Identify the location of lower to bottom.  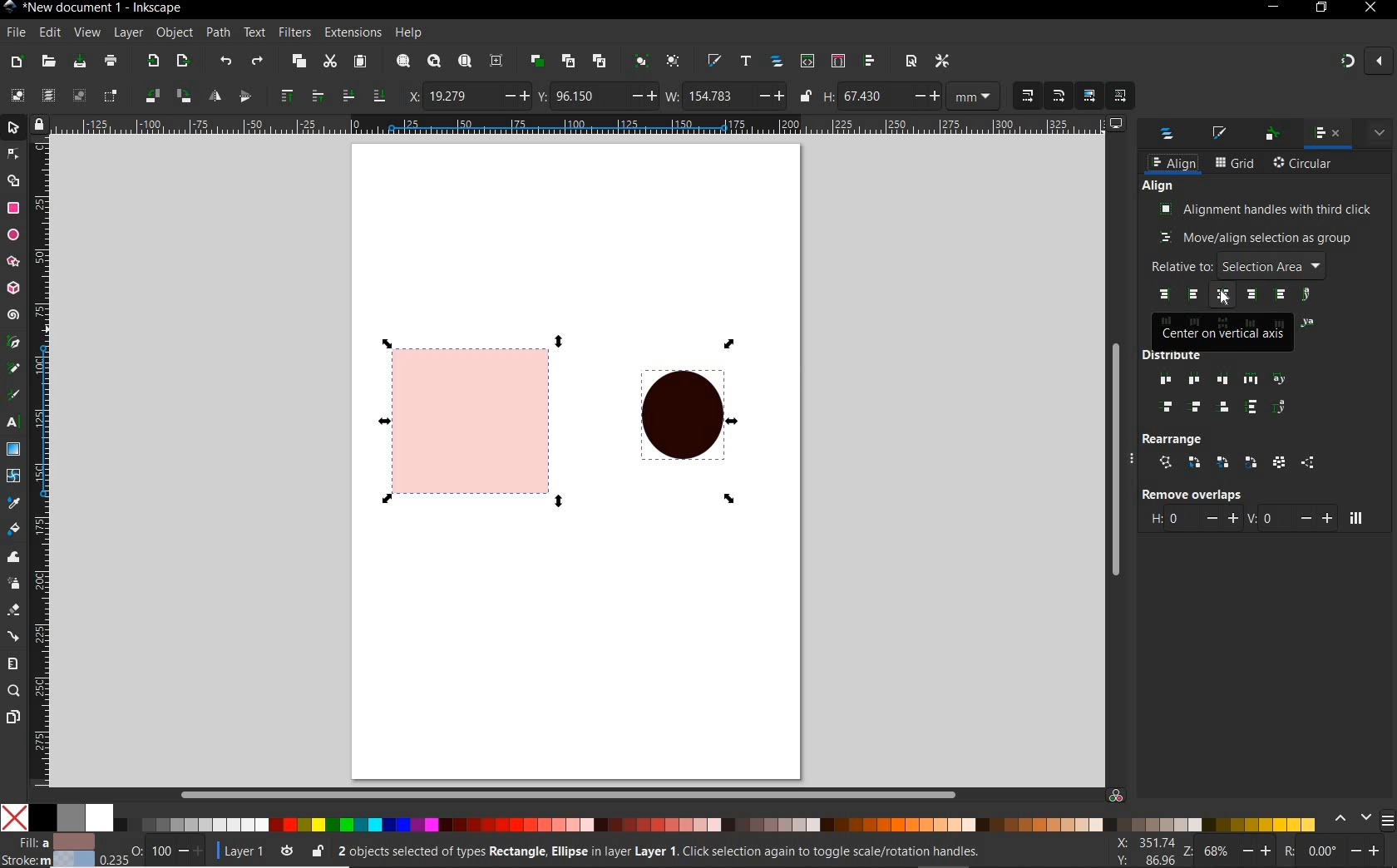
(378, 94).